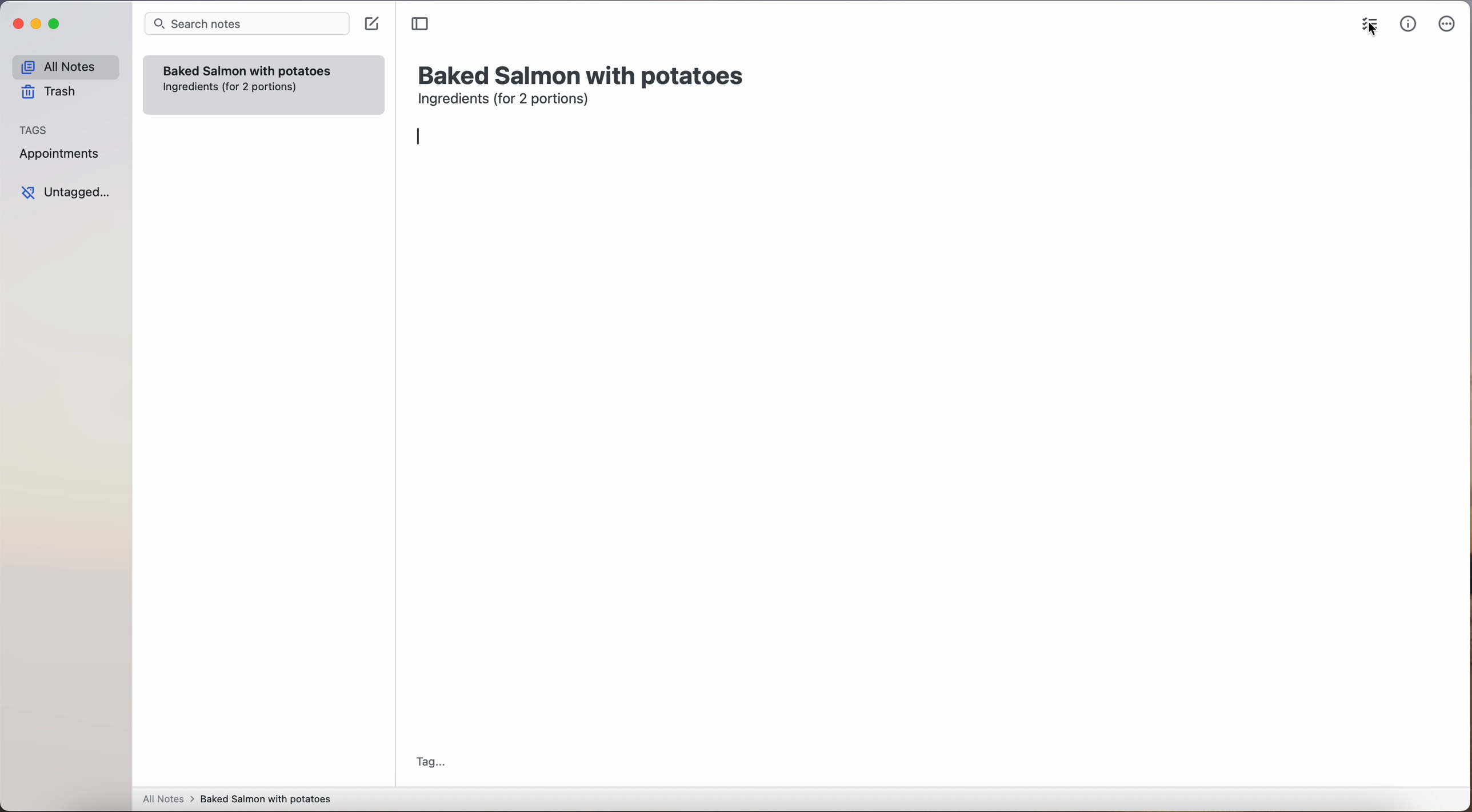 The image size is (1472, 812). I want to click on all notes > baked Salmon with potatoes, so click(237, 798).